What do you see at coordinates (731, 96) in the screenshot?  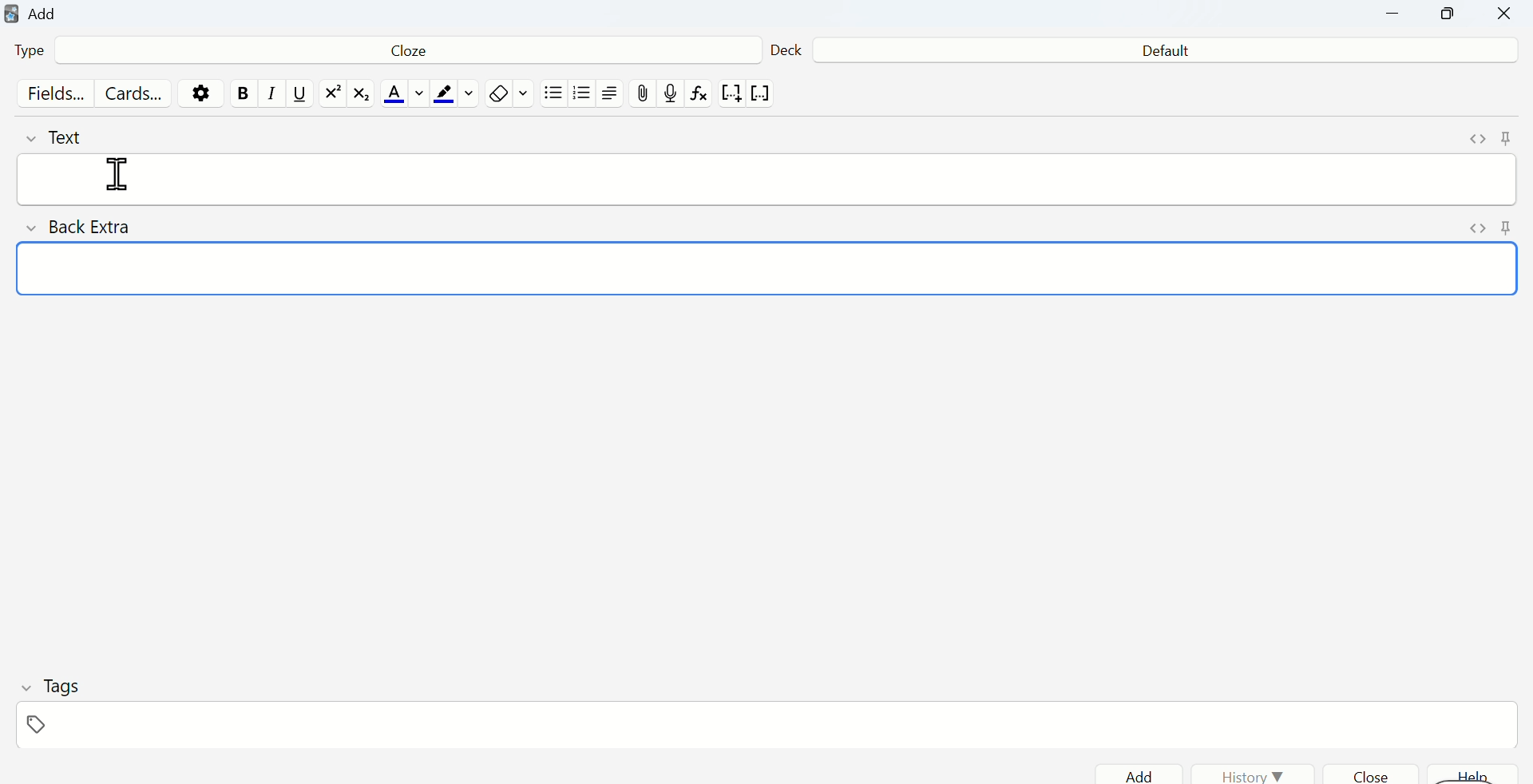 I see `notation` at bounding box center [731, 96].